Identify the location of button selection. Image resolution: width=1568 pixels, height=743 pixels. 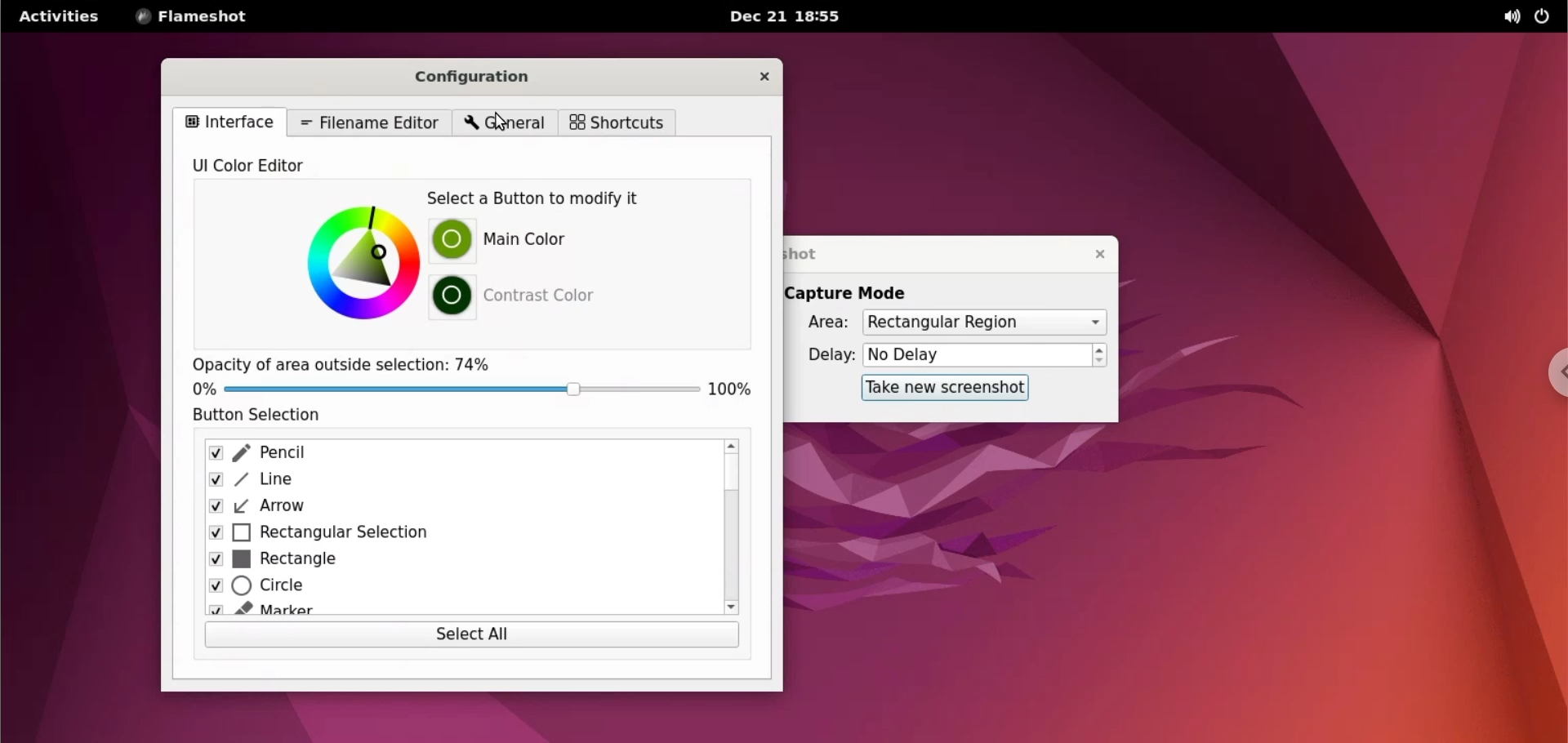
(273, 416).